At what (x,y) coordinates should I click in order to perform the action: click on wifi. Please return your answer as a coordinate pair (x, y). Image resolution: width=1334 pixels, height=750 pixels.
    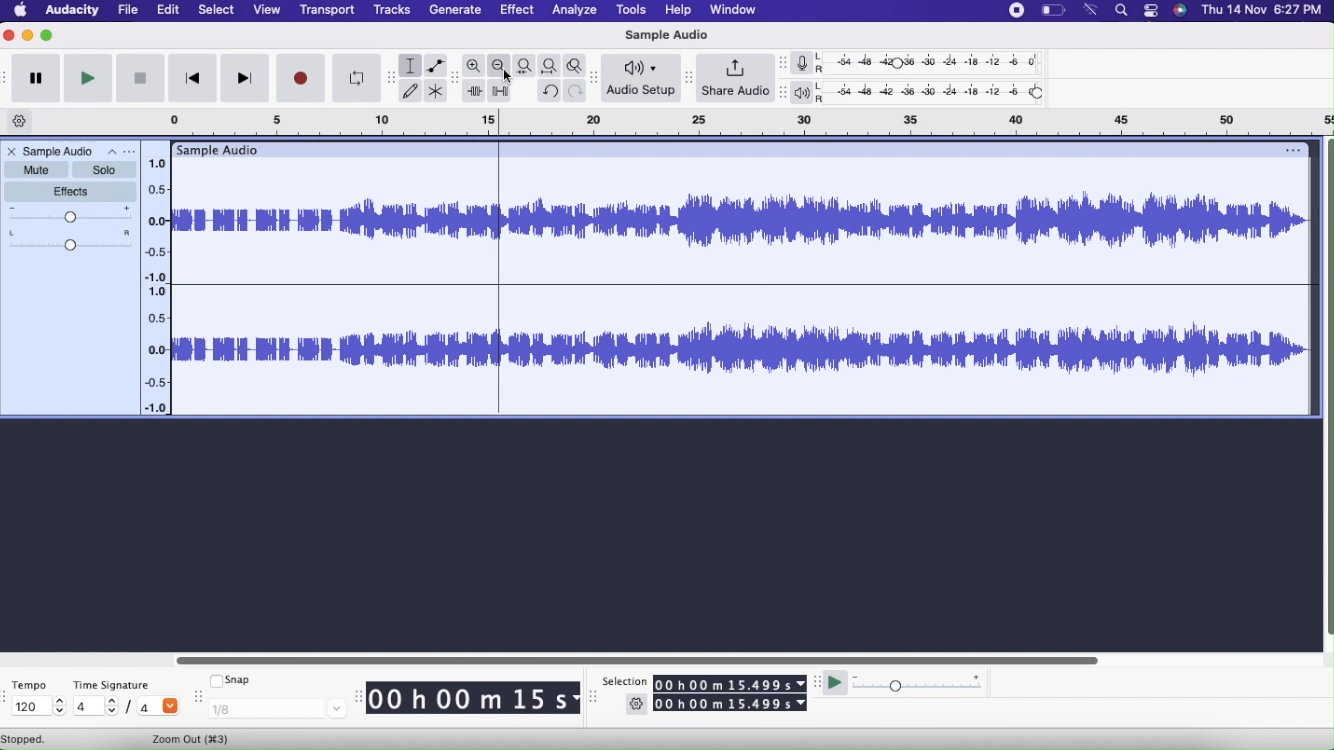
    Looking at the image, I should click on (1094, 11).